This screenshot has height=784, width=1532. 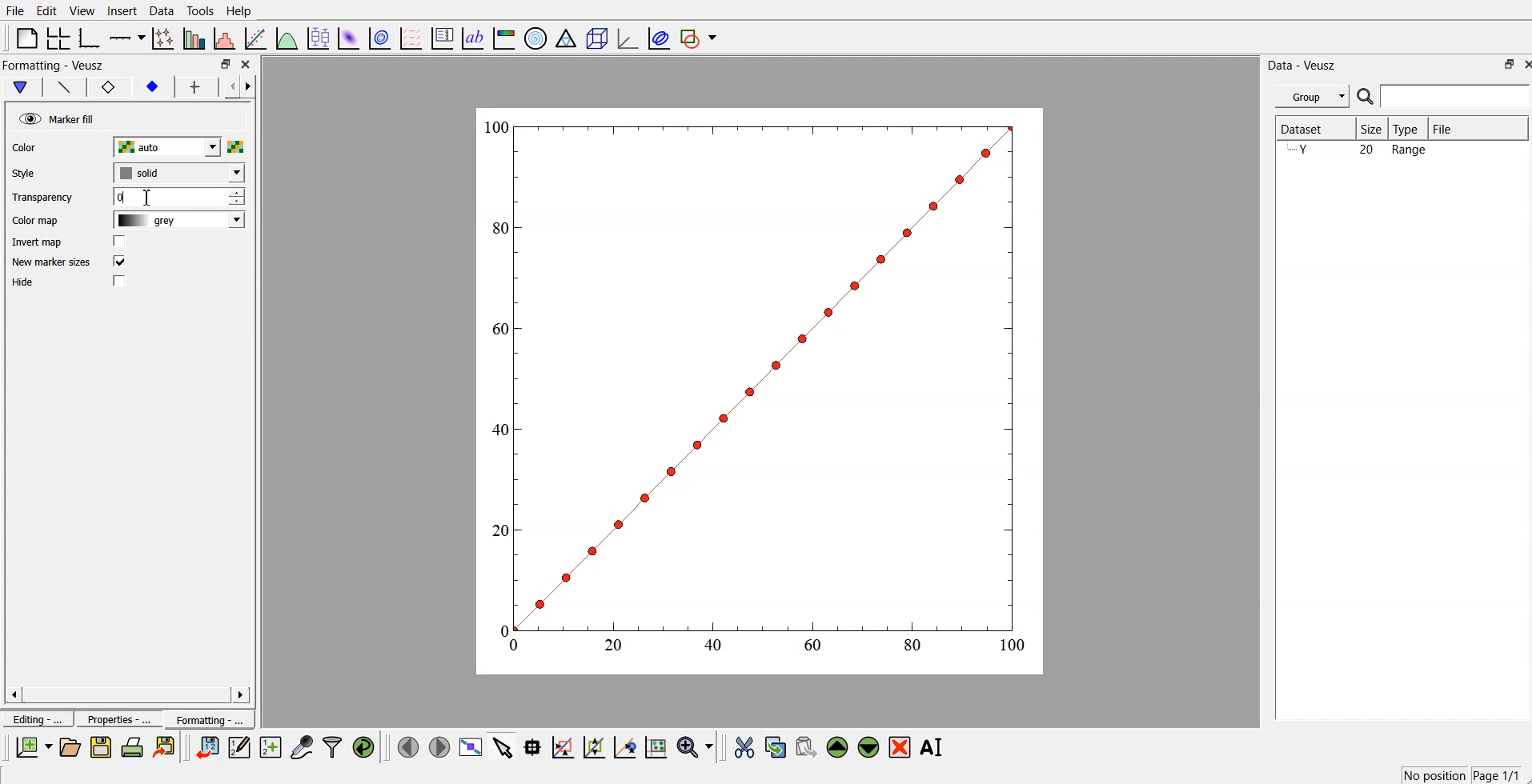 What do you see at coordinates (1410, 129) in the screenshot?
I see `Type` at bounding box center [1410, 129].